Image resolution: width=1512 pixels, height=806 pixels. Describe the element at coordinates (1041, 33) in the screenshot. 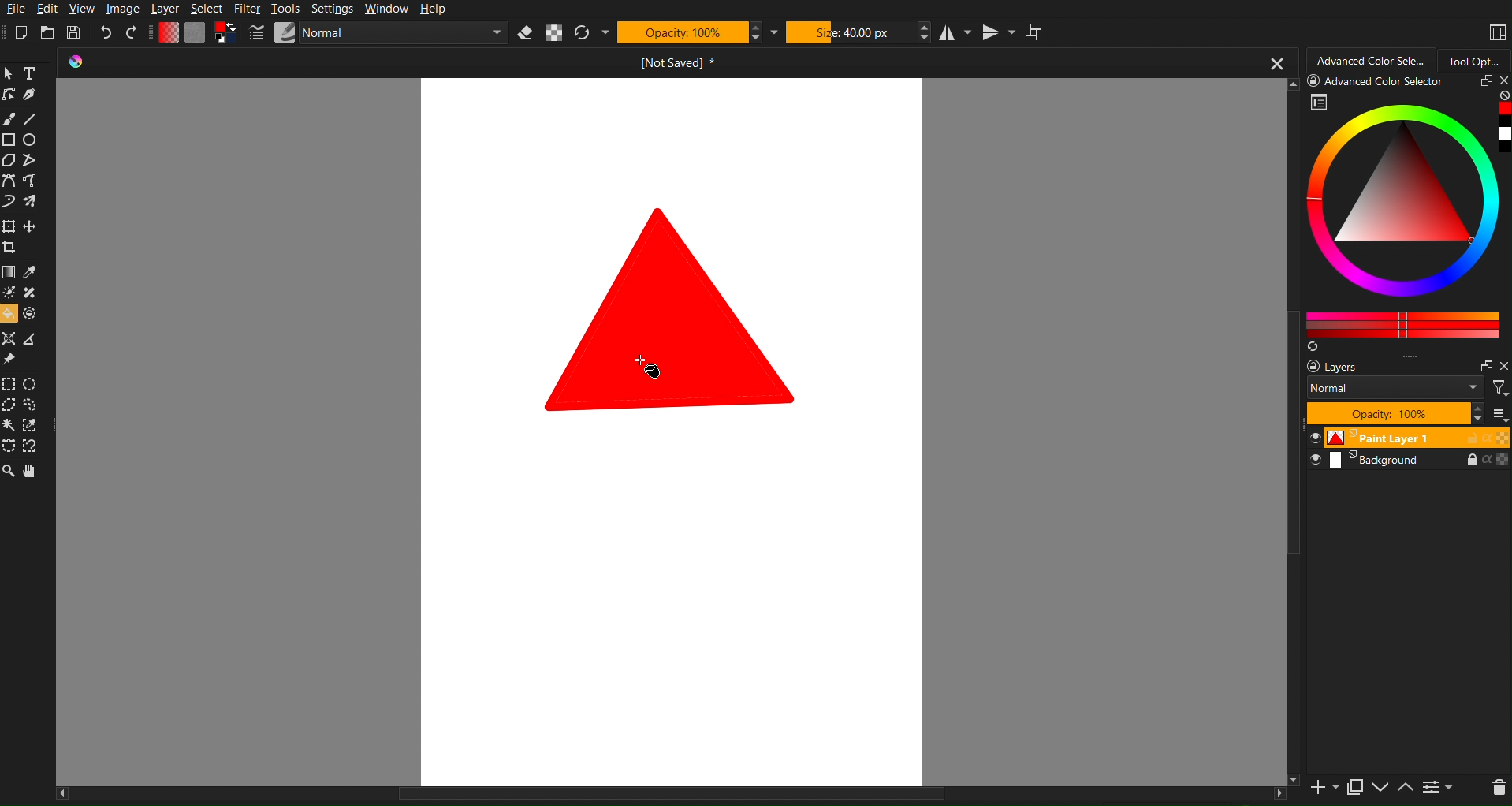

I see `Wrap Around` at that location.